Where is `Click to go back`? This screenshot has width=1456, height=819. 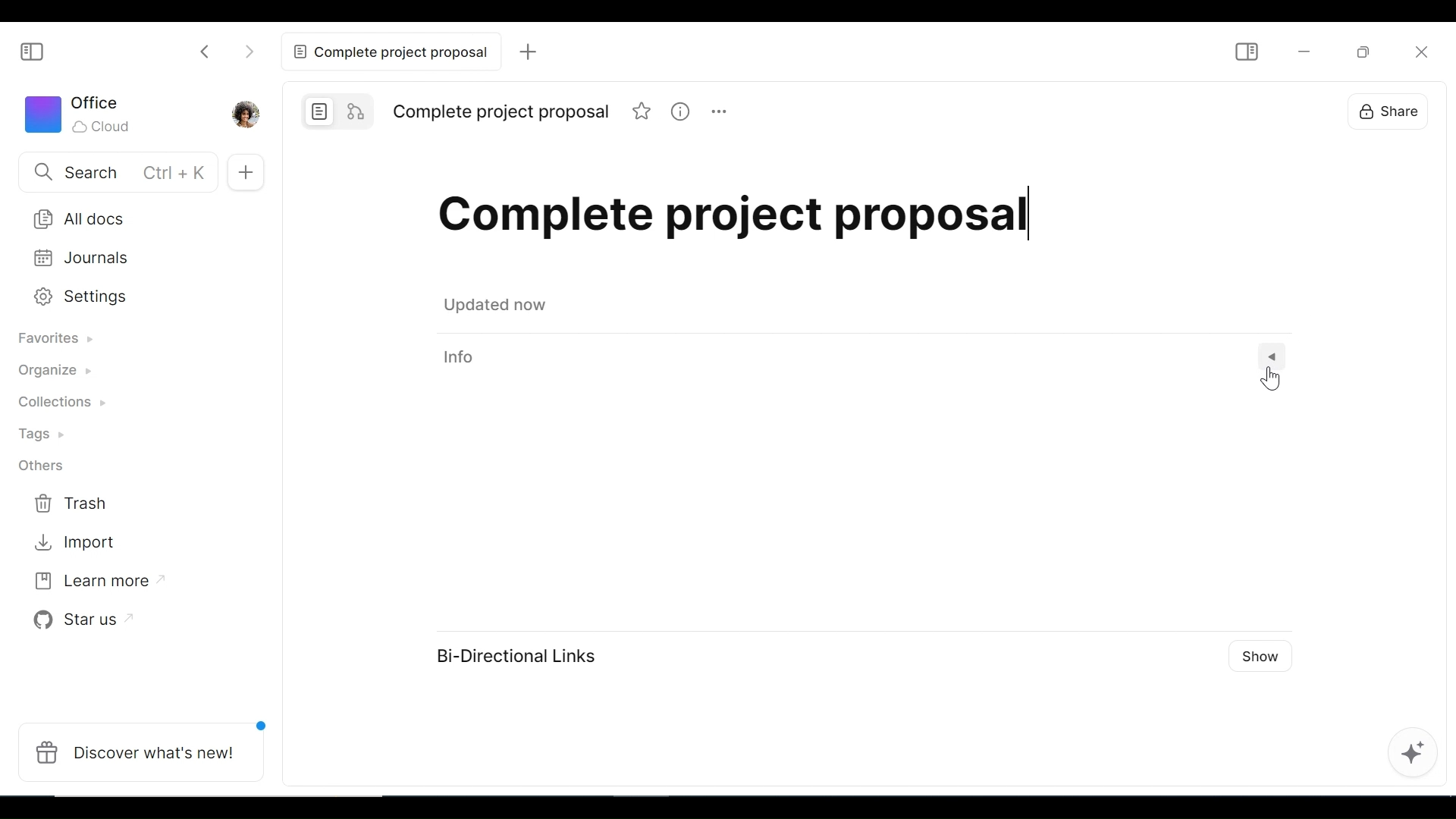 Click to go back is located at coordinates (199, 52).